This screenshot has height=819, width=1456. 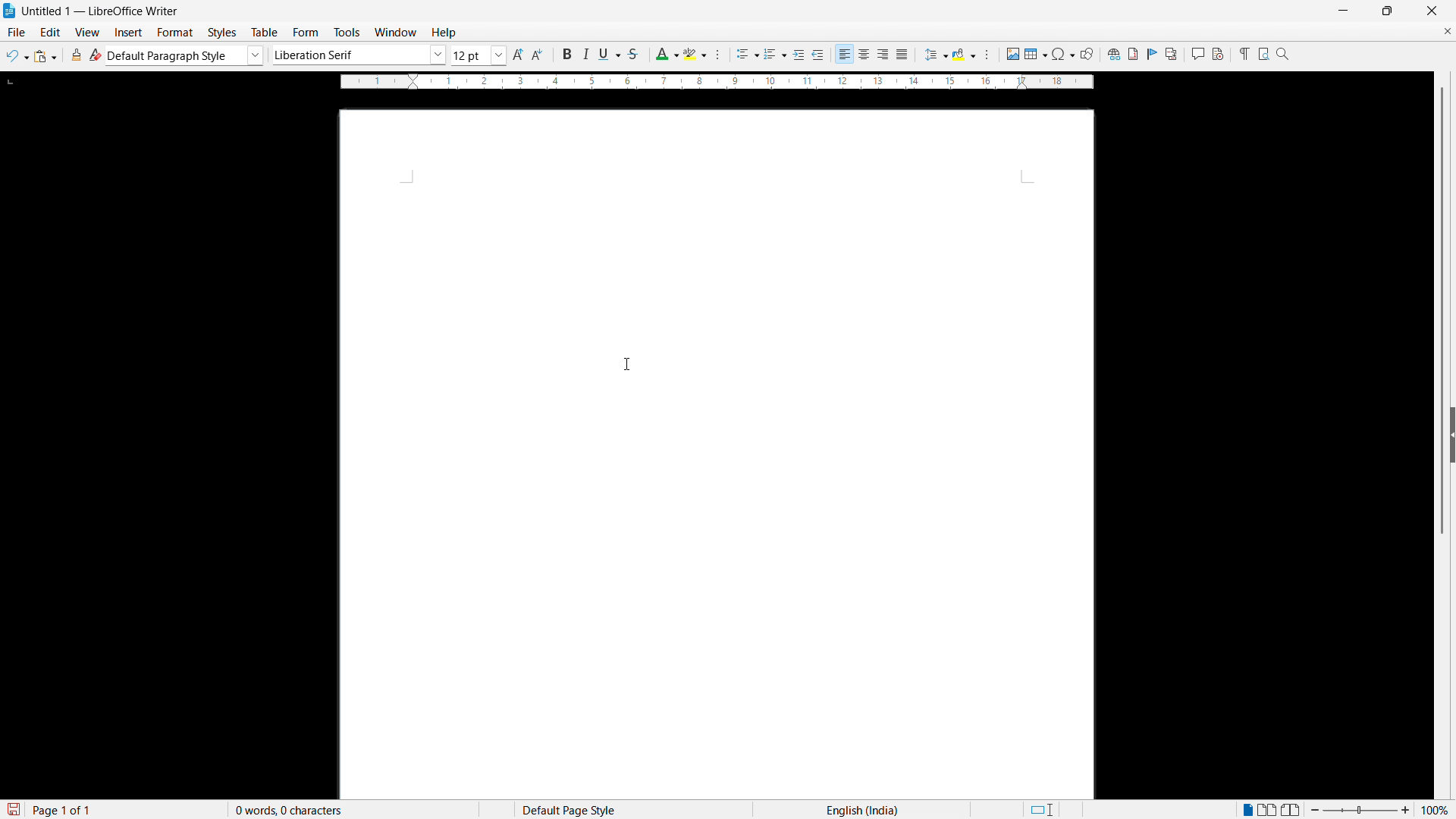 What do you see at coordinates (394, 33) in the screenshot?
I see `Window ` at bounding box center [394, 33].